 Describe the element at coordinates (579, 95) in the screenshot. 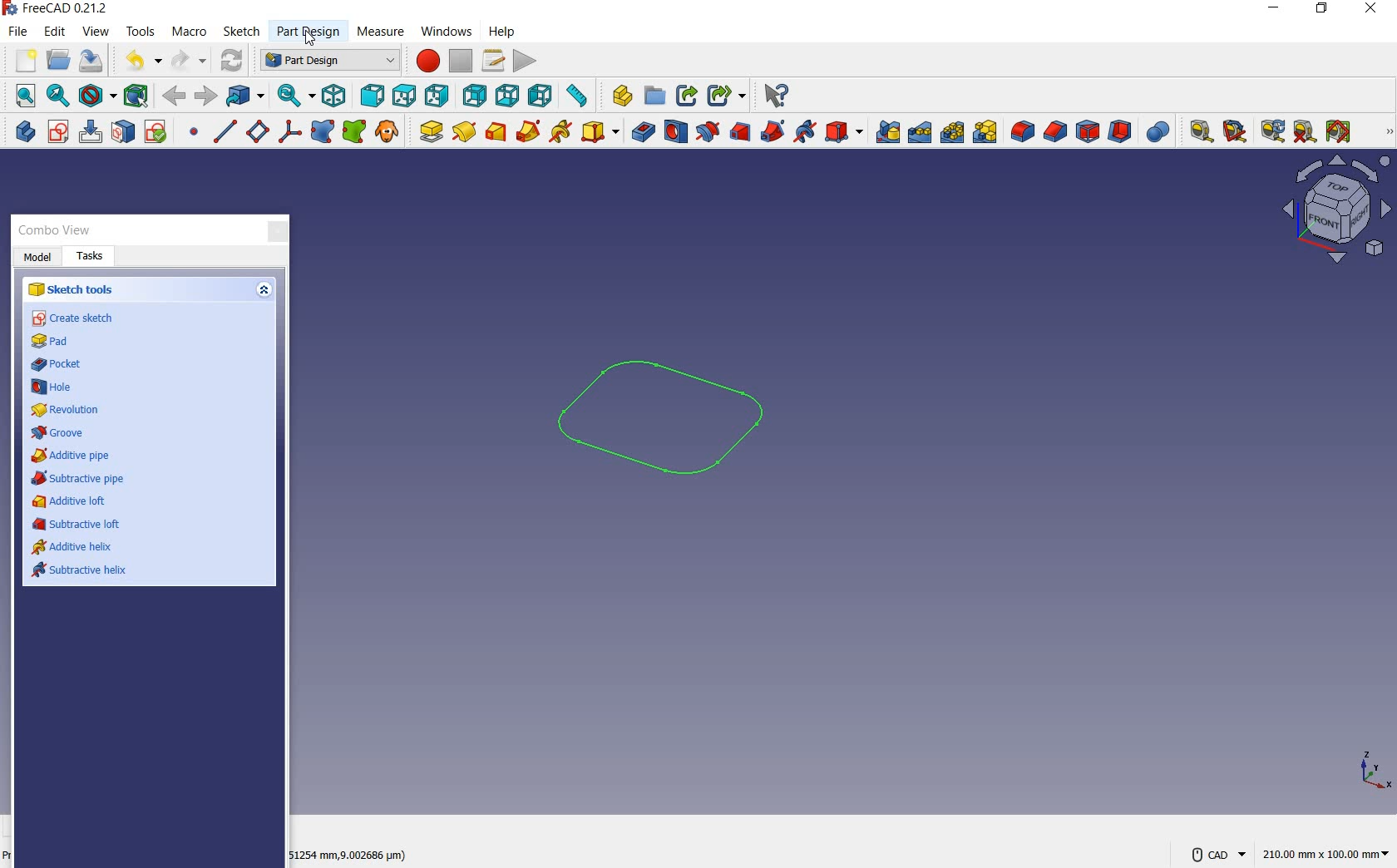

I see `measure distance ` at that location.